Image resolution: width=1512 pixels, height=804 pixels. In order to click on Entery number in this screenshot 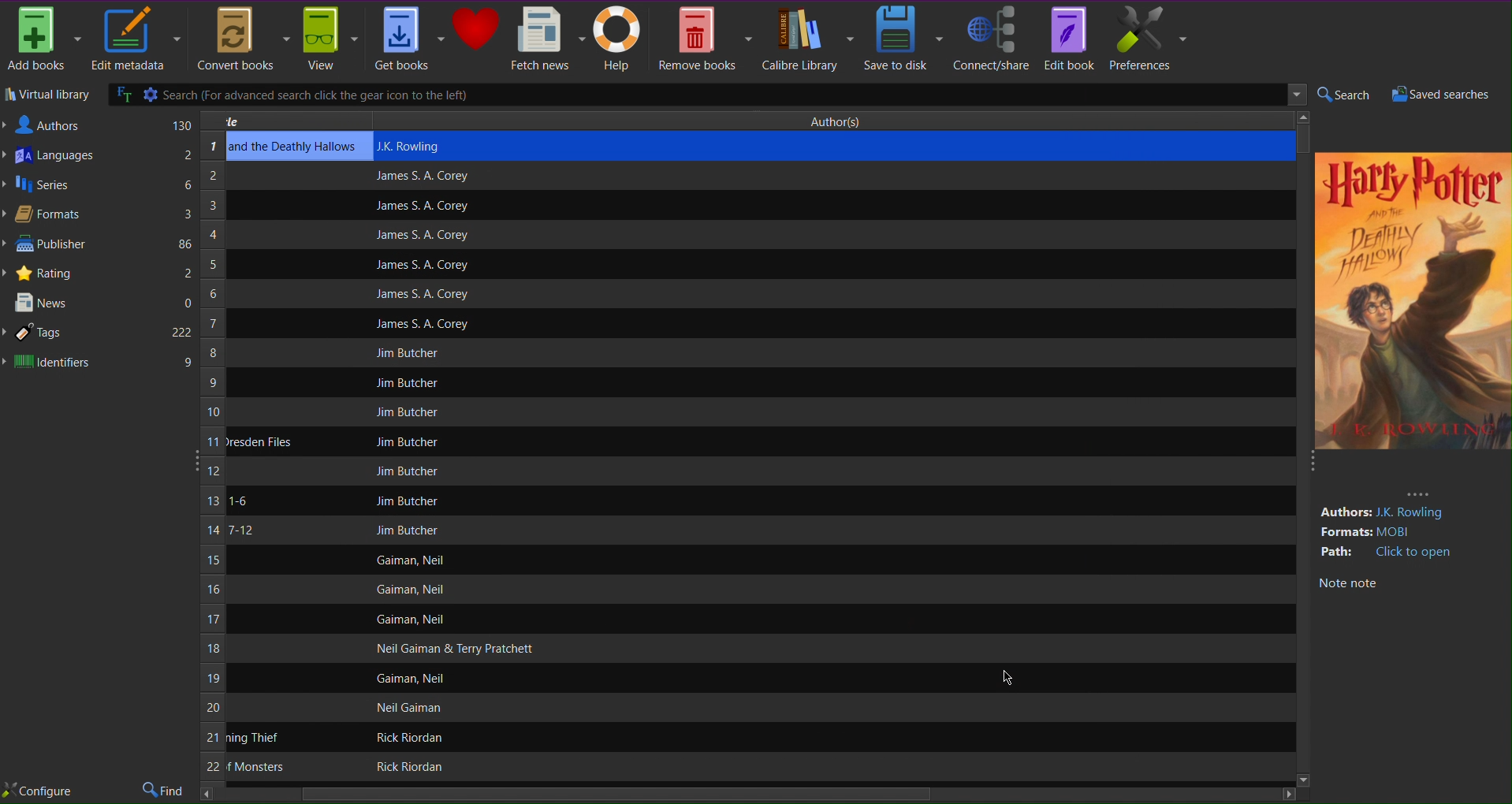, I will do `click(212, 459)`.